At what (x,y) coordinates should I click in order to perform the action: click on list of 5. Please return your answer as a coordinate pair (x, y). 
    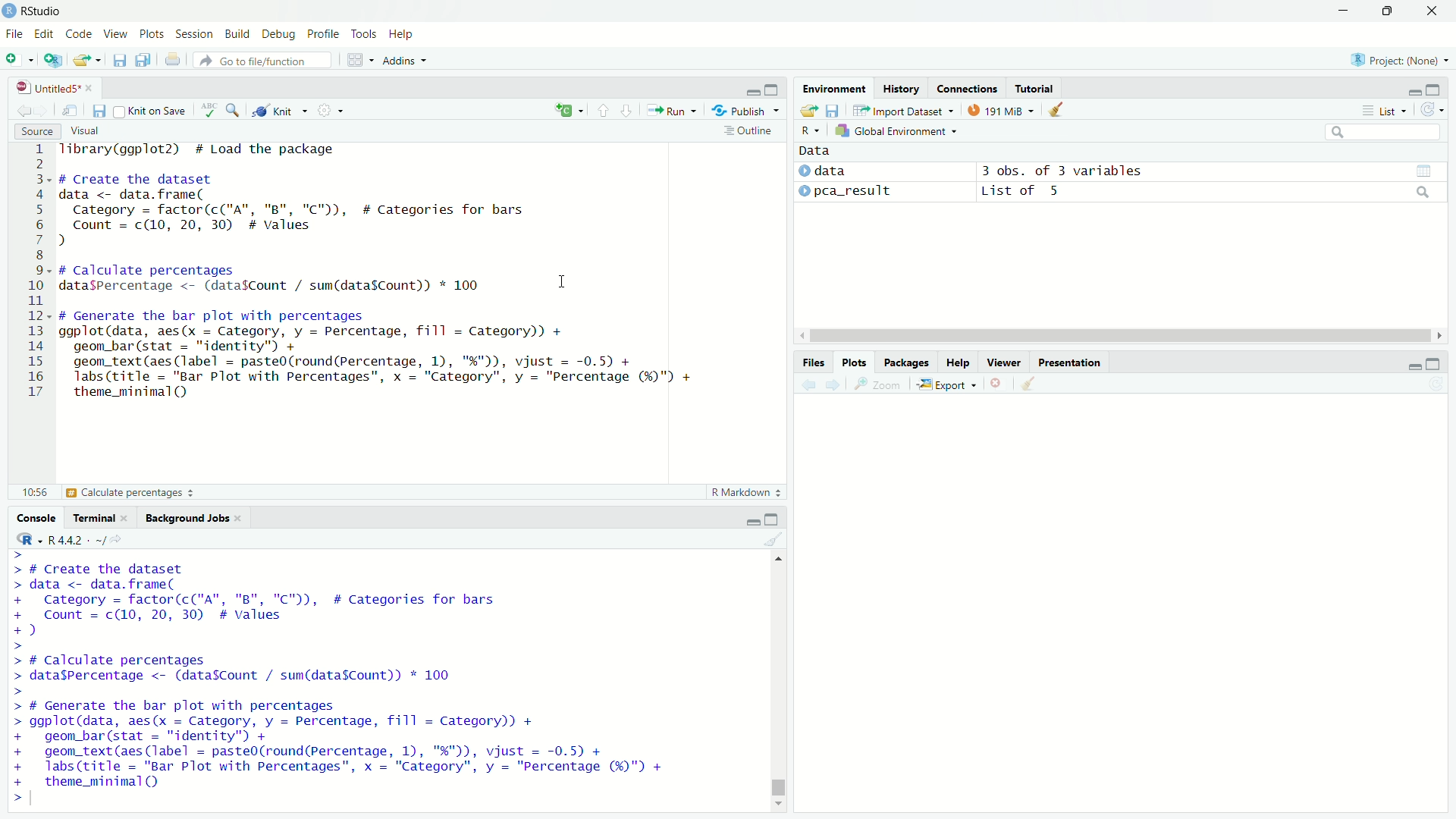
    Looking at the image, I should click on (1209, 191).